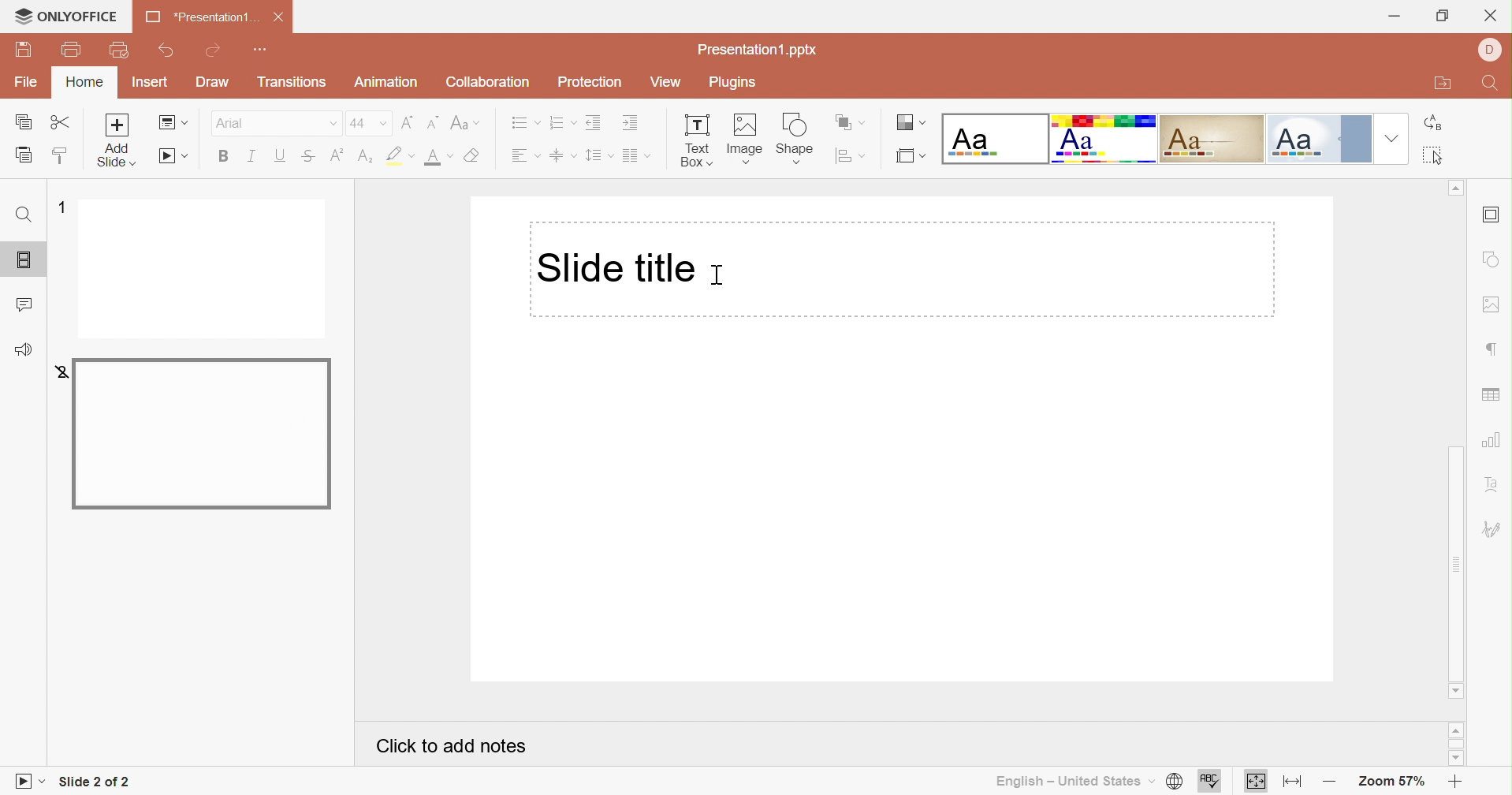 This screenshot has width=1512, height=795. Describe the element at coordinates (562, 123) in the screenshot. I see `Numbering` at that location.